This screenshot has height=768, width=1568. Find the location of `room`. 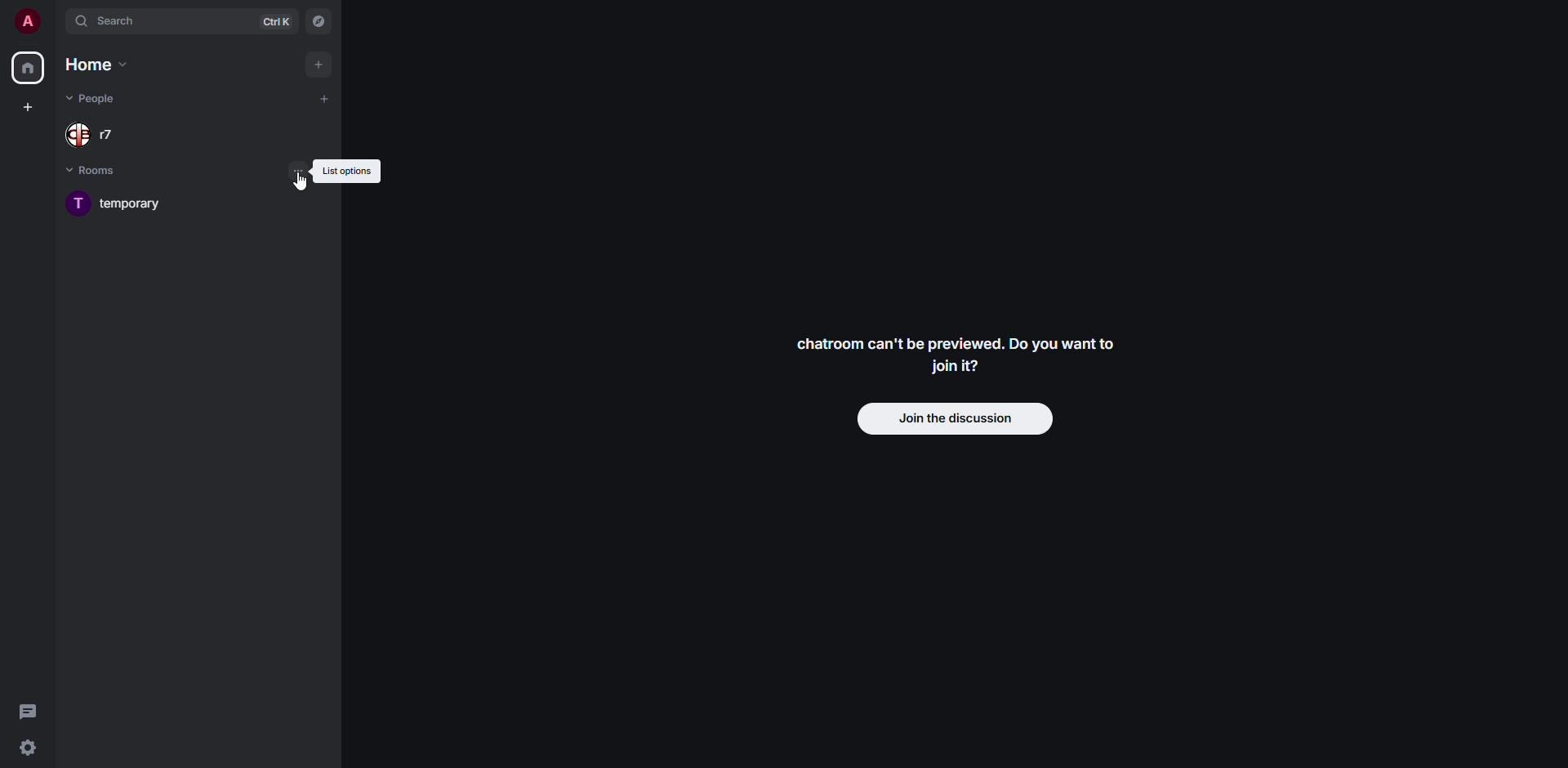

room is located at coordinates (114, 204).